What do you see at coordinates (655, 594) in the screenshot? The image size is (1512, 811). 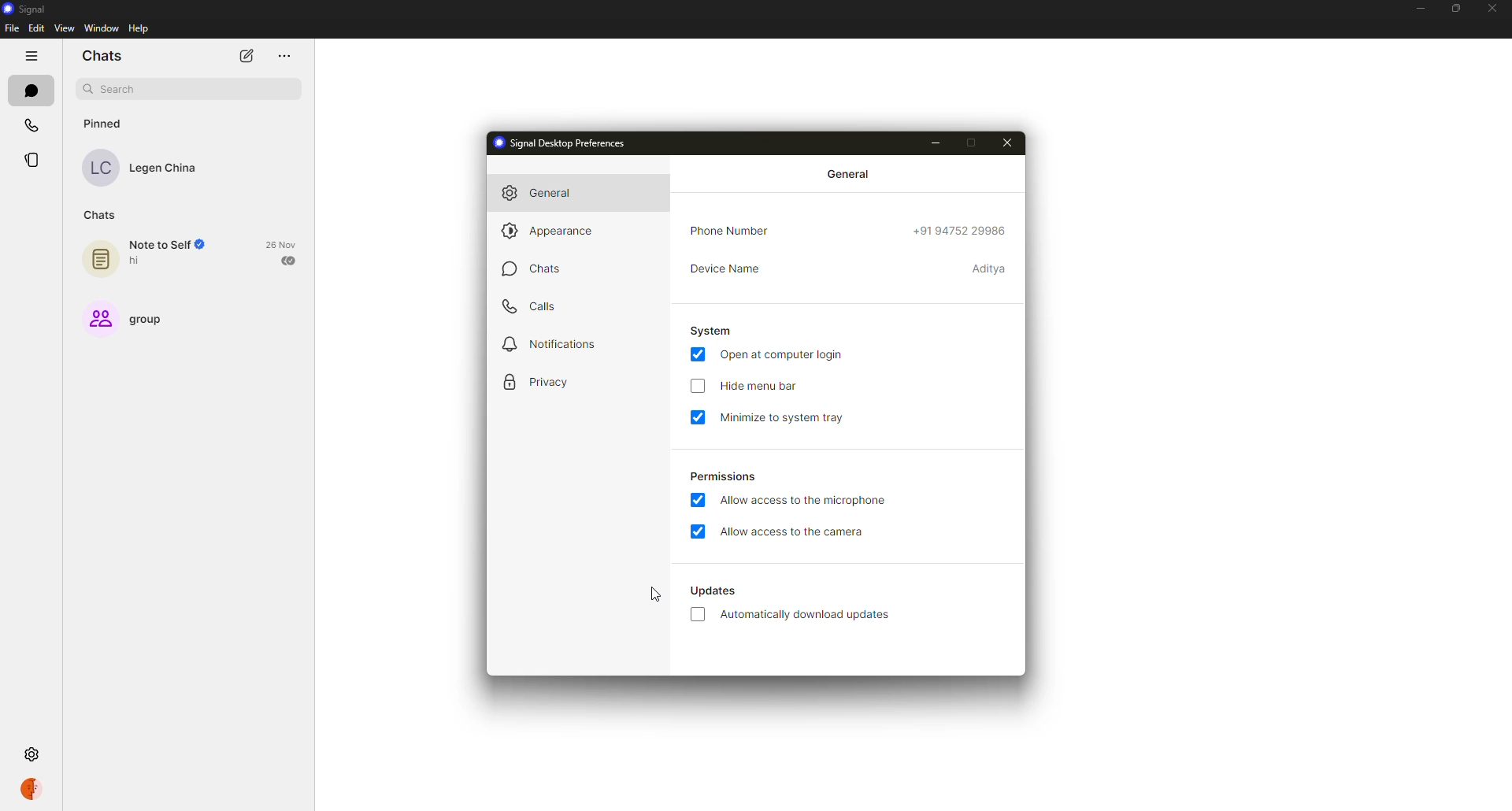 I see `cursor` at bounding box center [655, 594].